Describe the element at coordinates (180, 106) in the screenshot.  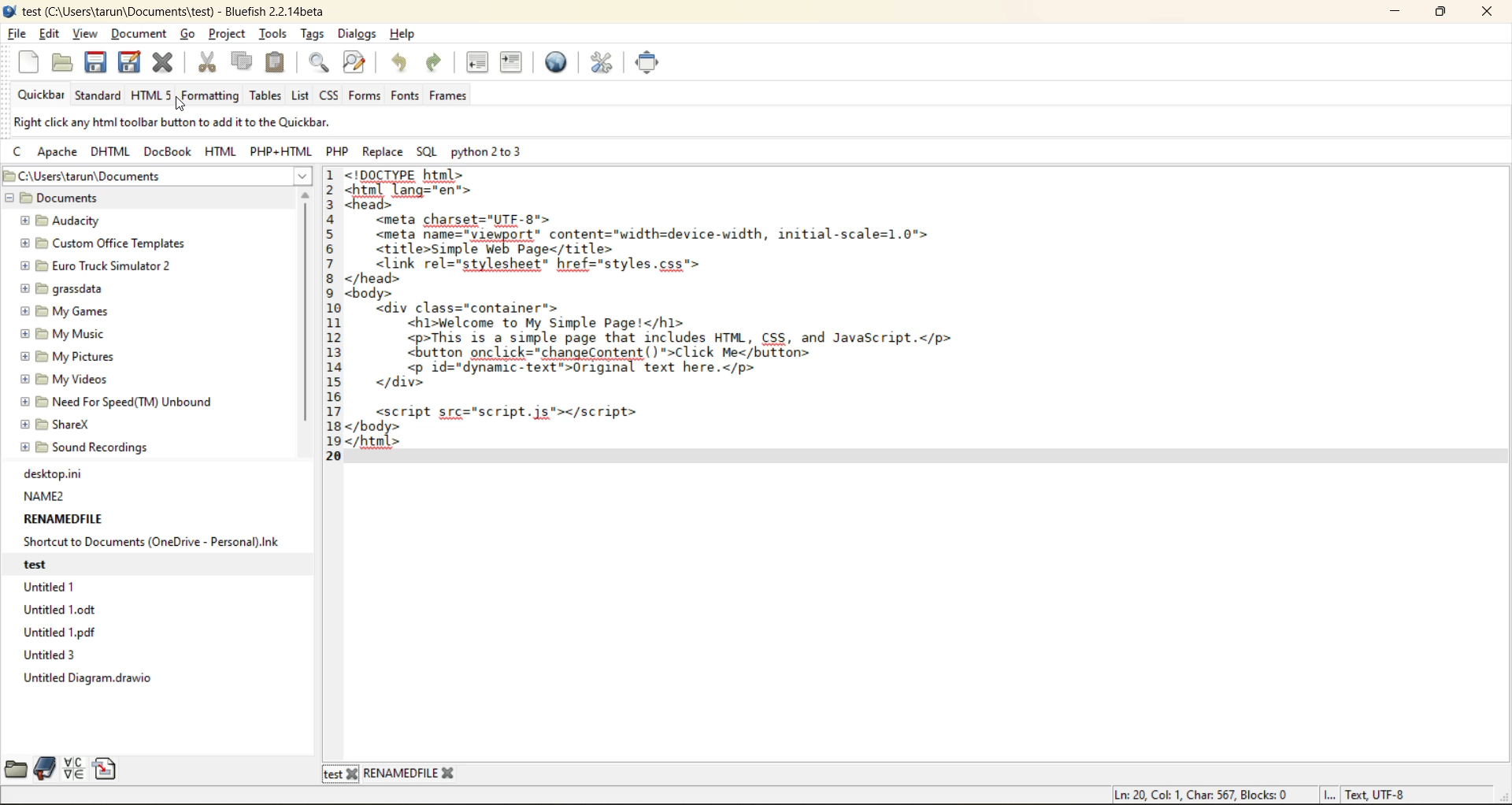
I see `cursor` at that location.